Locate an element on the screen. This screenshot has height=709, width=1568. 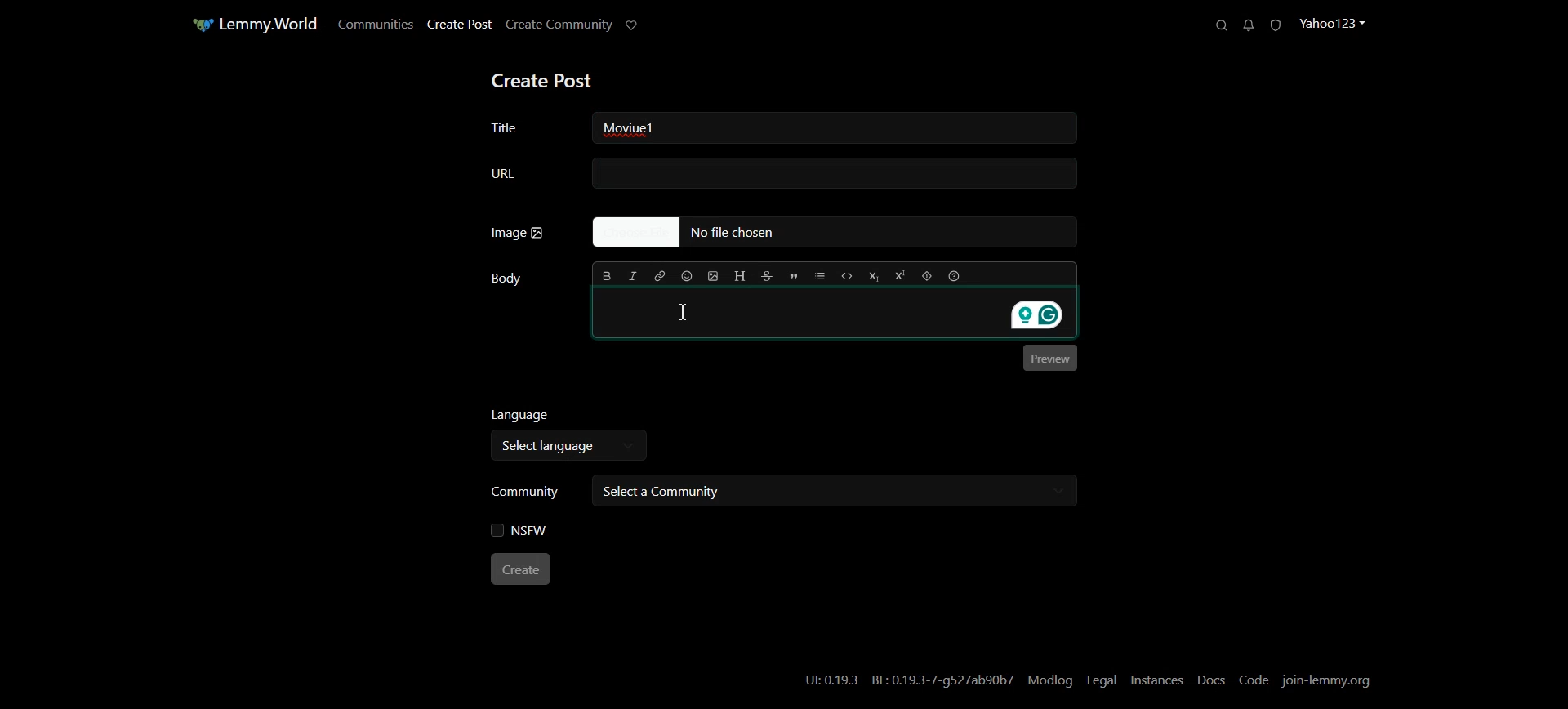
Unread Report is located at coordinates (1280, 25).